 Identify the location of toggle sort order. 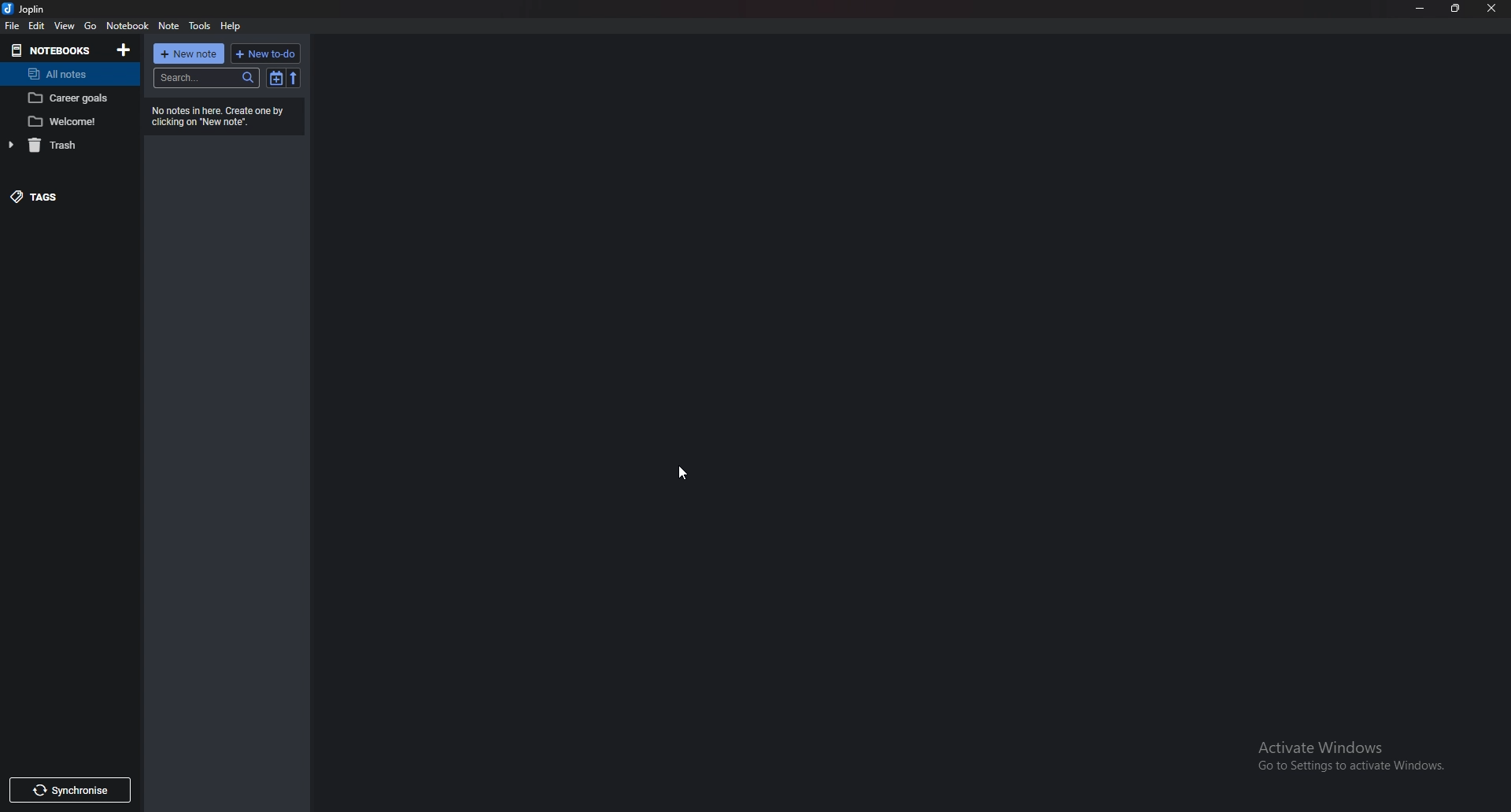
(276, 78).